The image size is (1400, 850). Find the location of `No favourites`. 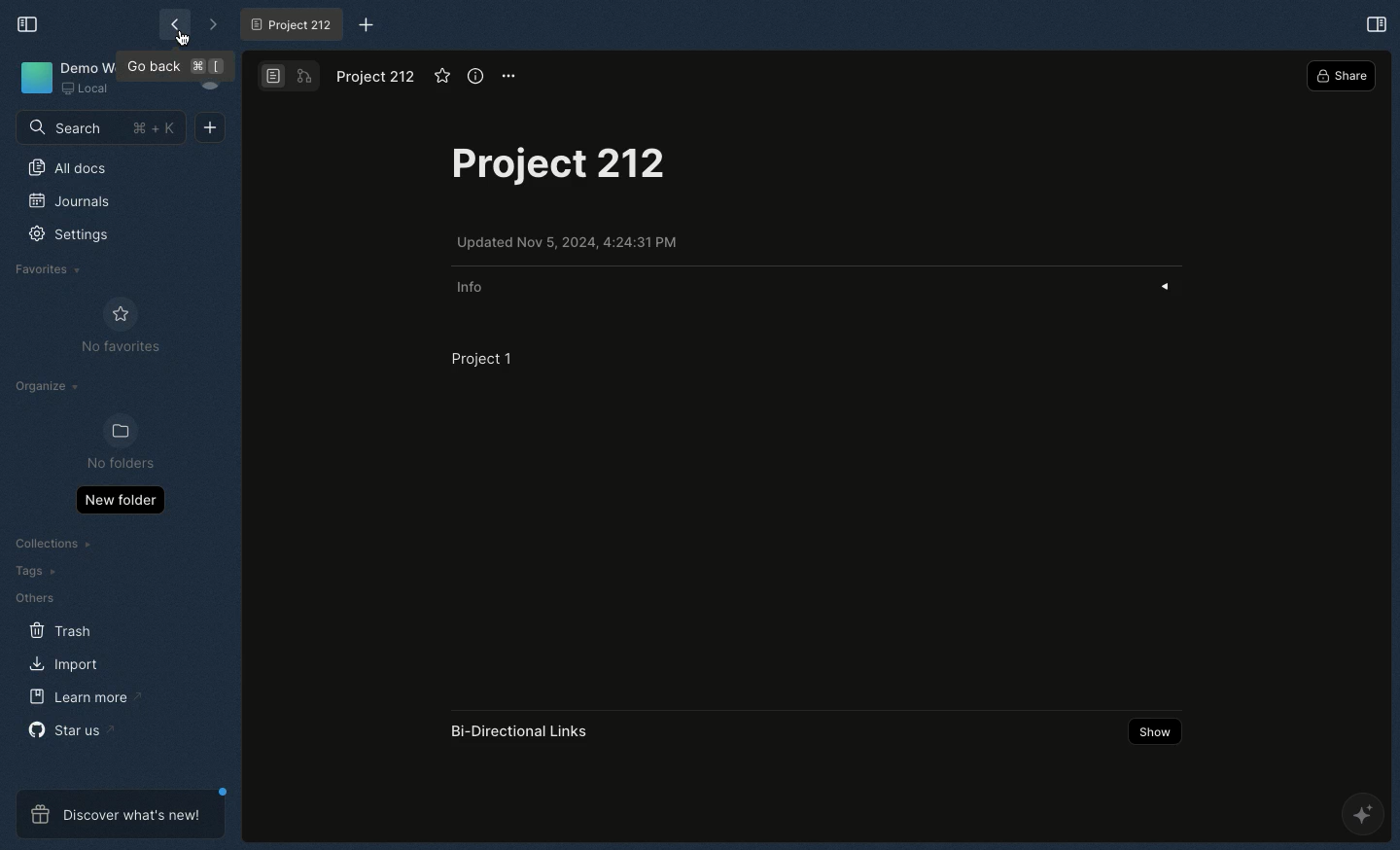

No favourites is located at coordinates (121, 325).